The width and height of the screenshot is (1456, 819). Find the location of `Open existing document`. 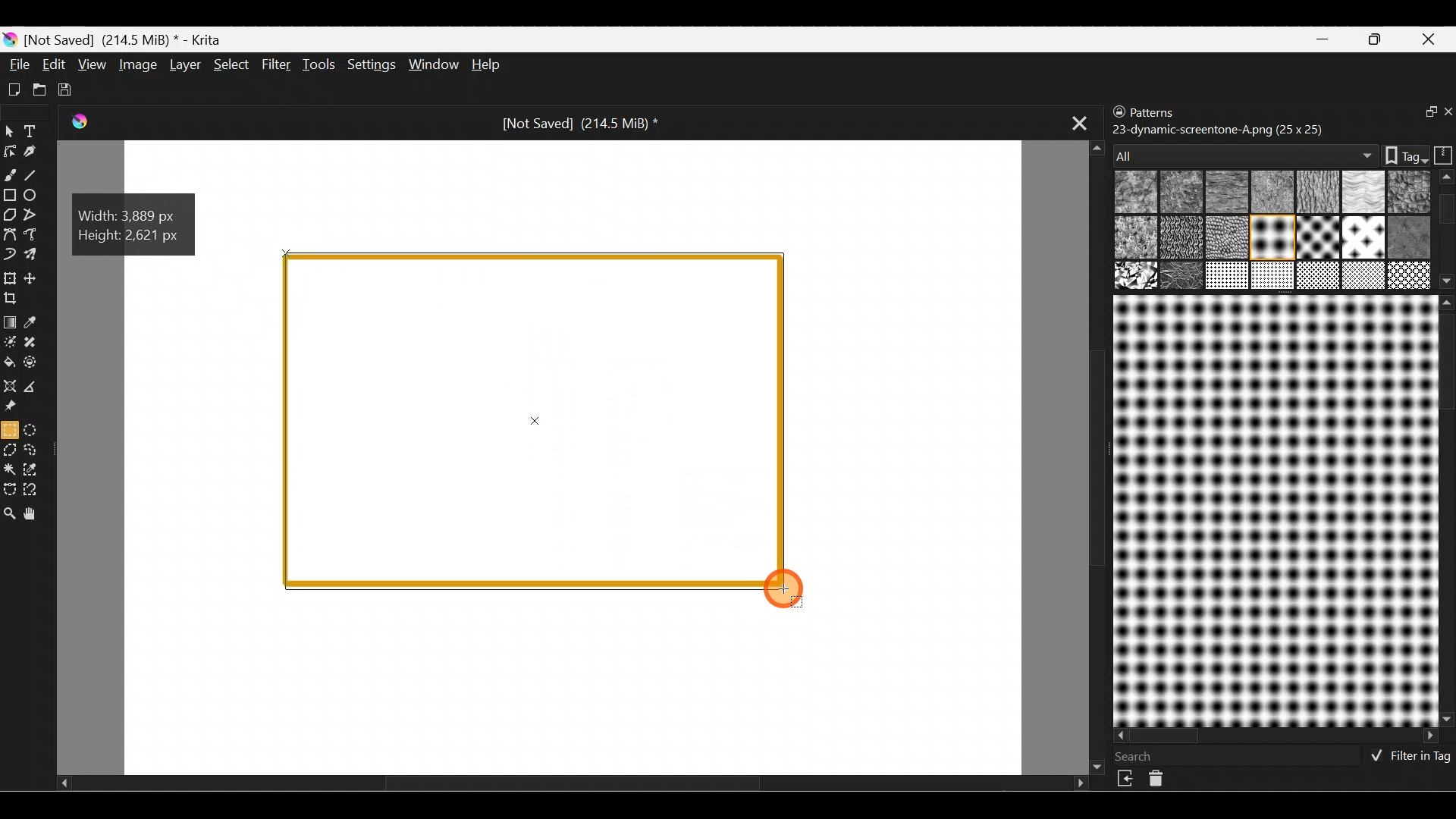

Open existing document is located at coordinates (37, 87).